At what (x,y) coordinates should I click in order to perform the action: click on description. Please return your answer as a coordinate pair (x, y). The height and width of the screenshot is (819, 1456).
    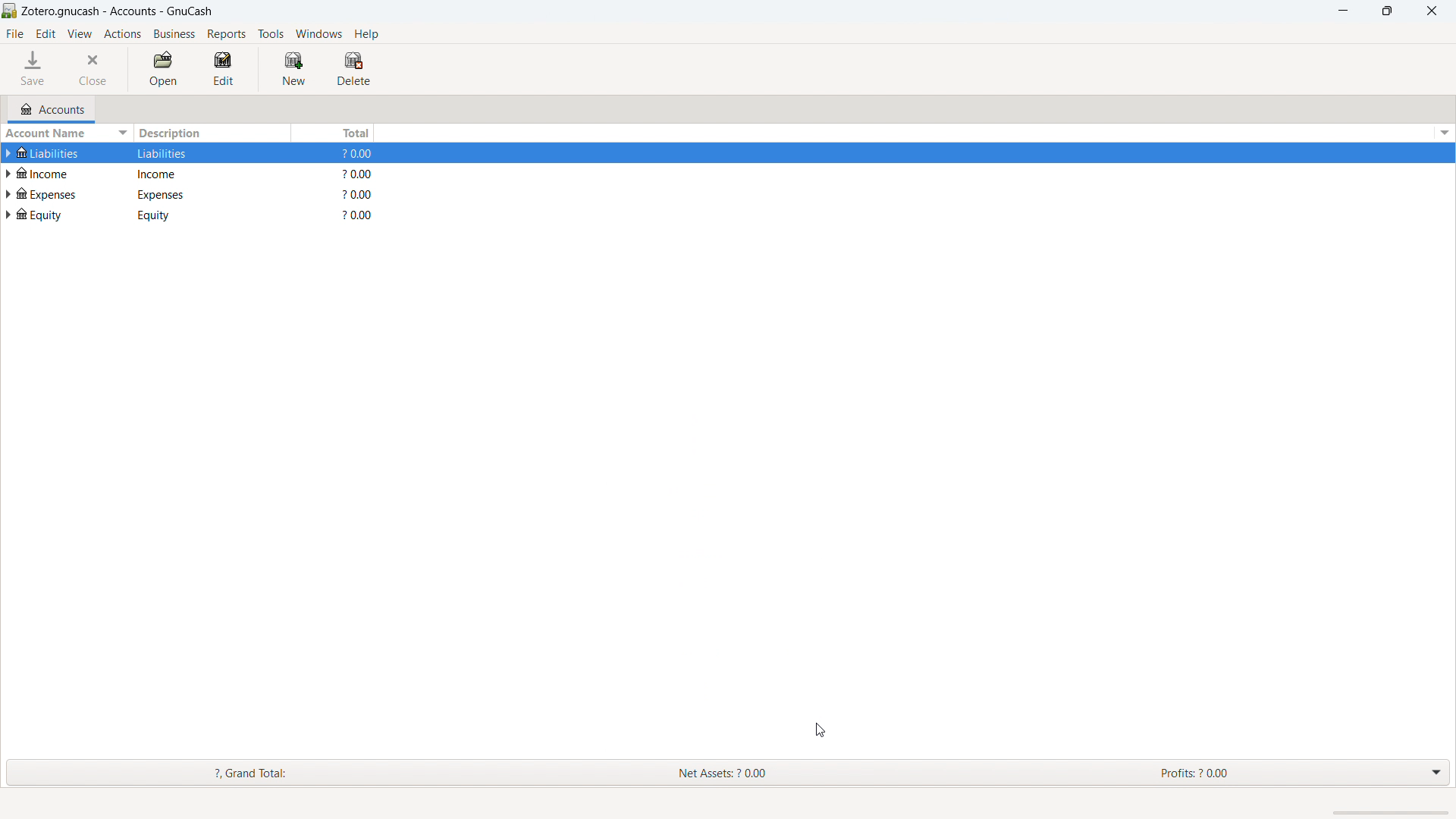
    Looking at the image, I should click on (212, 133).